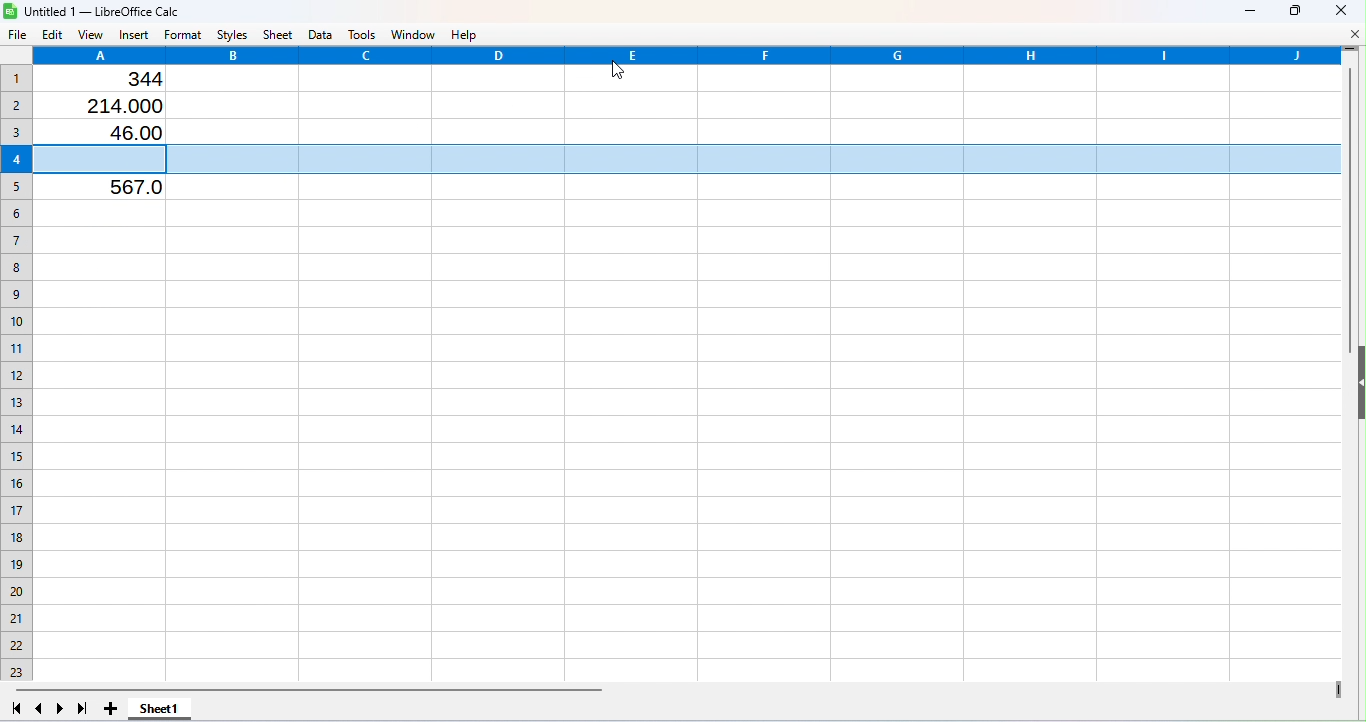 Image resolution: width=1366 pixels, height=722 pixels. What do you see at coordinates (185, 34) in the screenshot?
I see `Format` at bounding box center [185, 34].